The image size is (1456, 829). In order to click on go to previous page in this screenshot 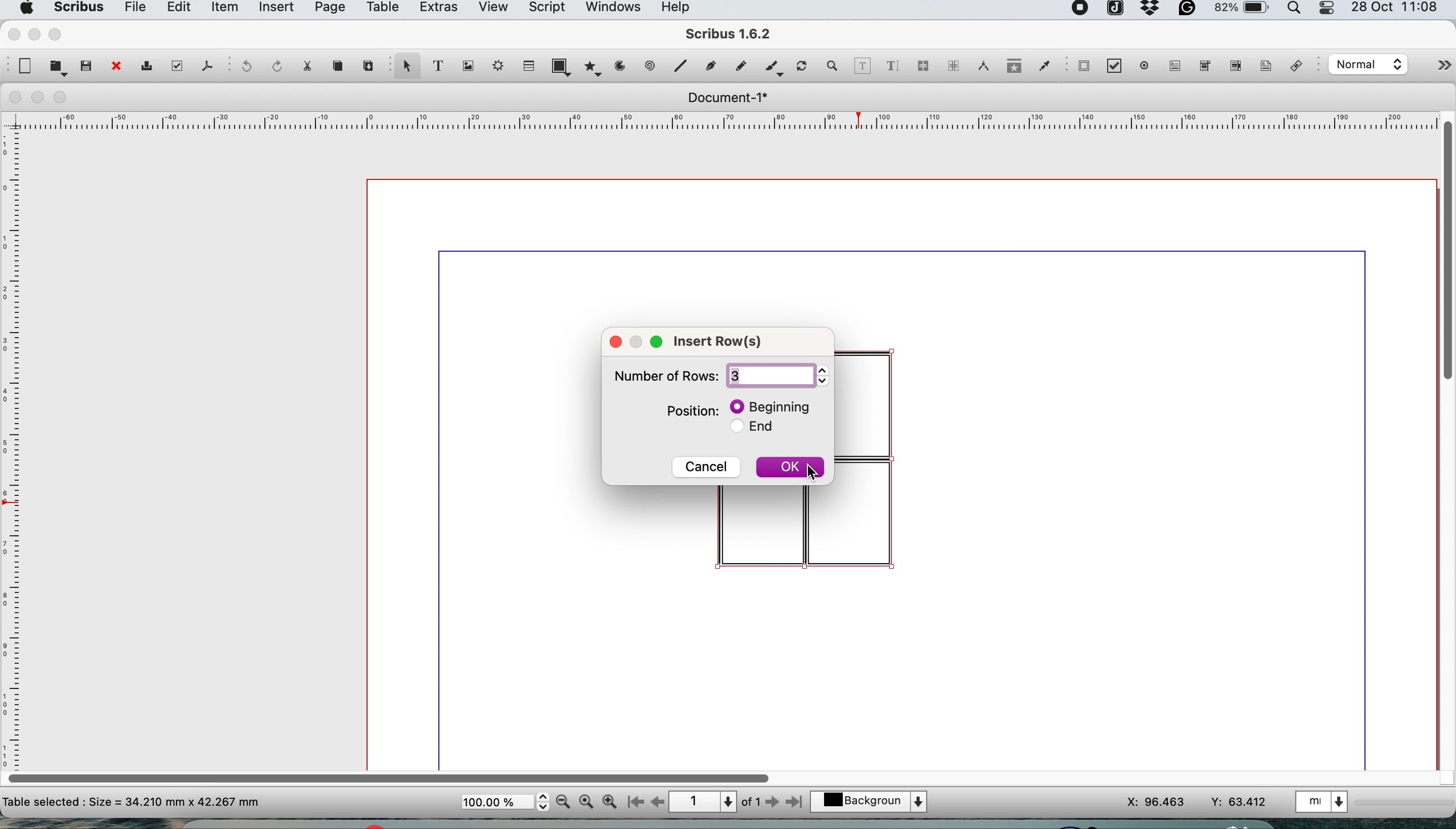, I will do `click(657, 803)`.